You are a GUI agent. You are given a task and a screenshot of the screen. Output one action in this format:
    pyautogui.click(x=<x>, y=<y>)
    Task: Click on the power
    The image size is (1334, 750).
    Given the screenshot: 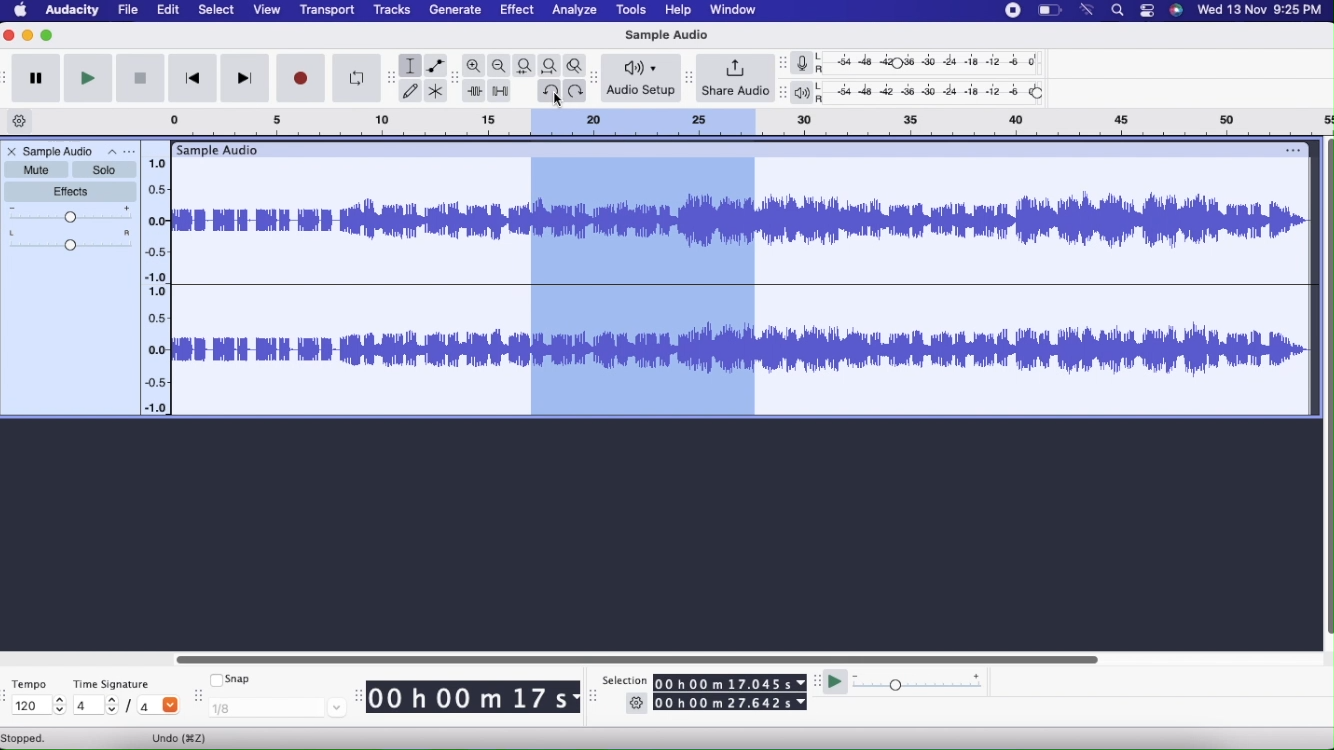 What is the action you would take?
    pyautogui.click(x=1049, y=10)
    